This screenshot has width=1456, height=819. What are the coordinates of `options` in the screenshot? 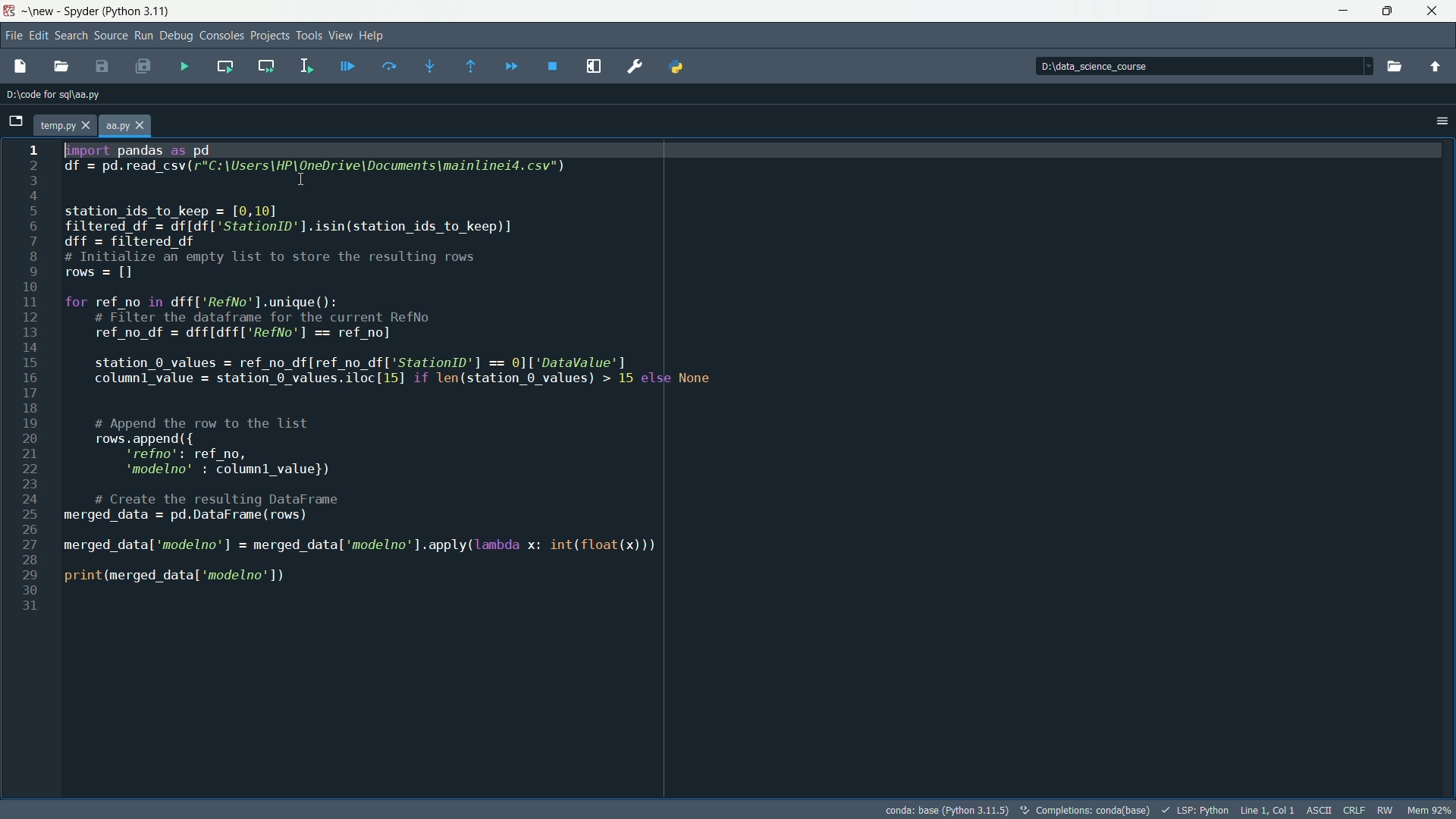 It's located at (1442, 121).